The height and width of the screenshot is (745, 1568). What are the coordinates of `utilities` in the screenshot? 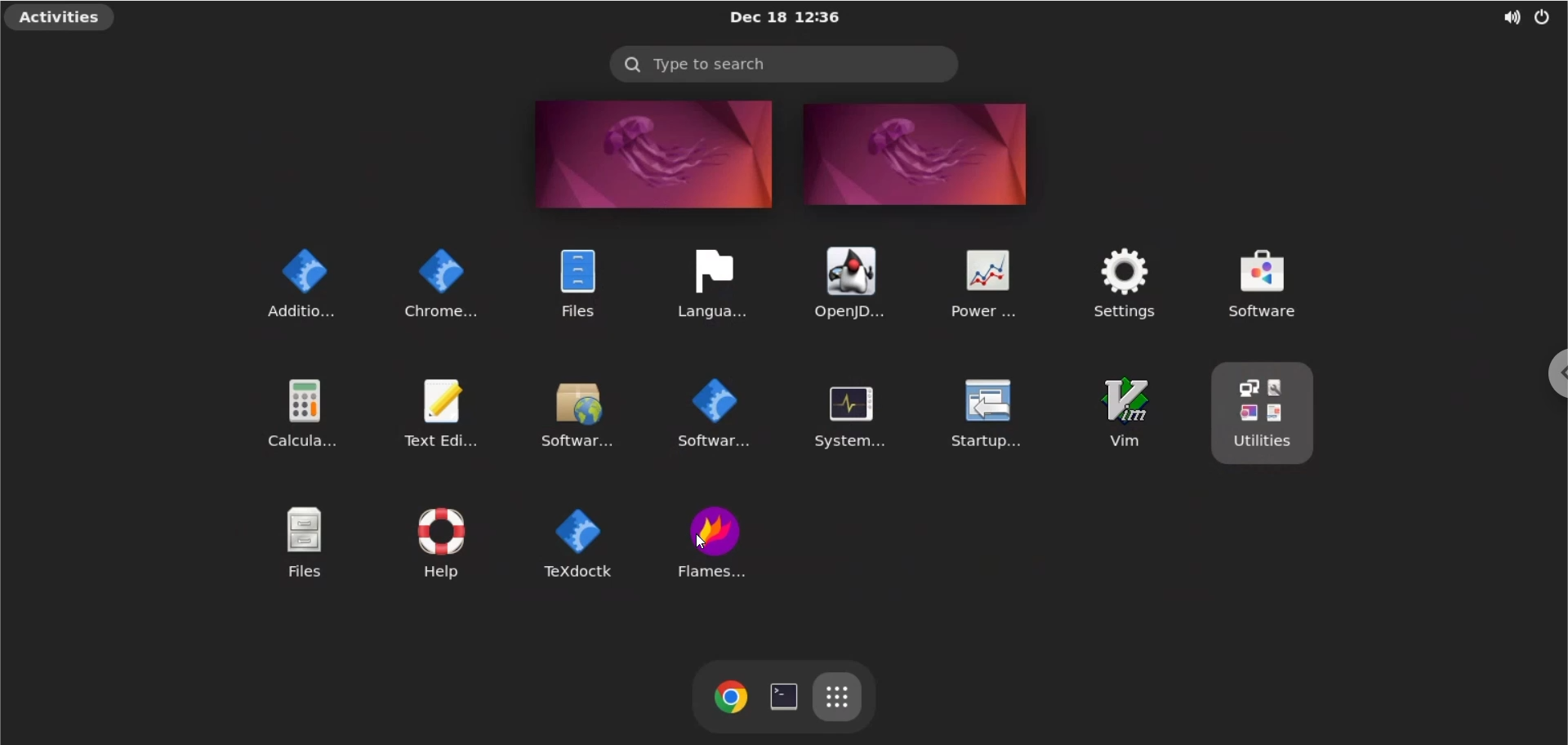 It's located at (1267, 415).